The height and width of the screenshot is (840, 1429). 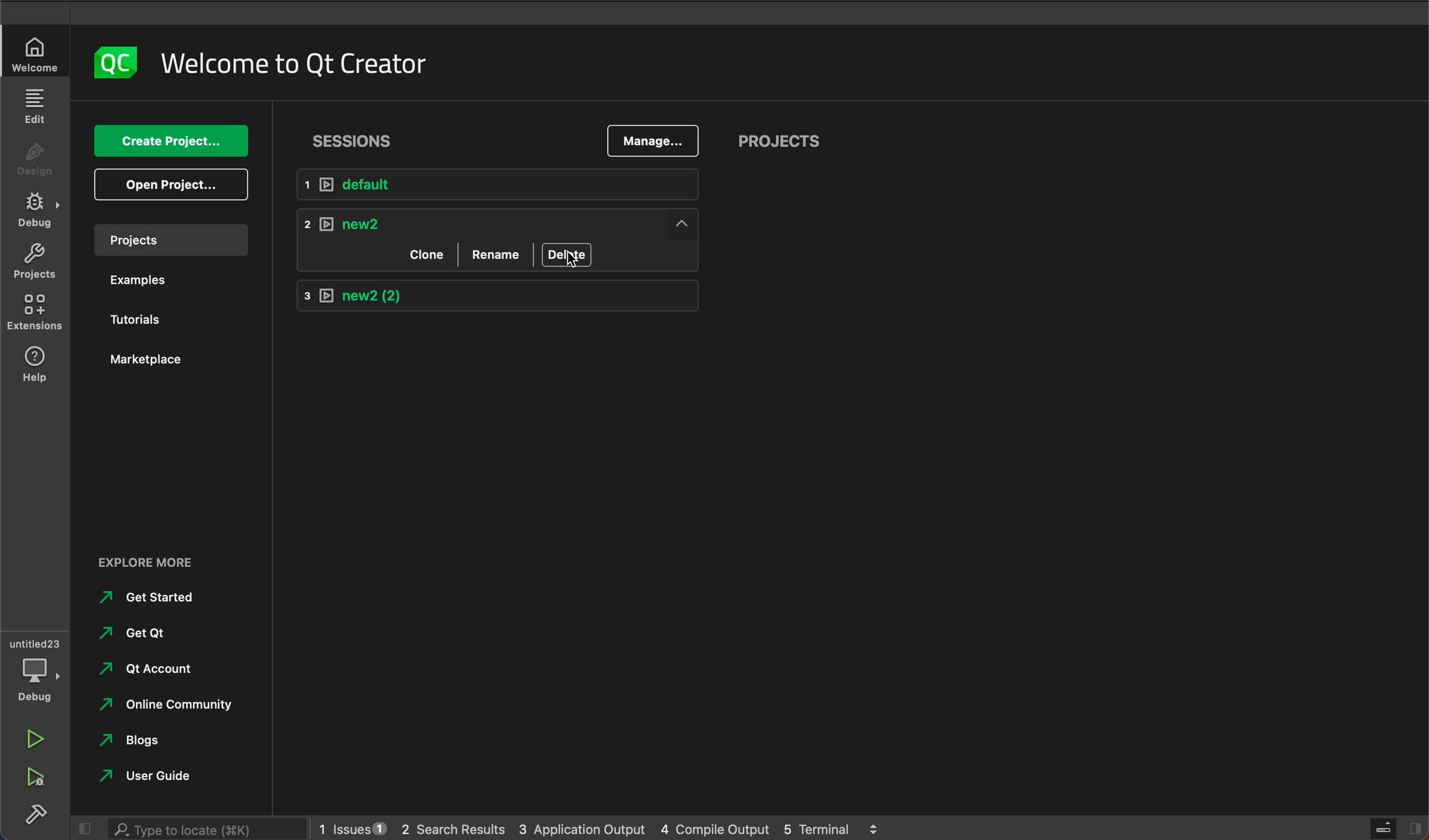 What do you see at coordinates (34, 669) in the screenshot?
I see `debug` at bounding box center [34, 669].